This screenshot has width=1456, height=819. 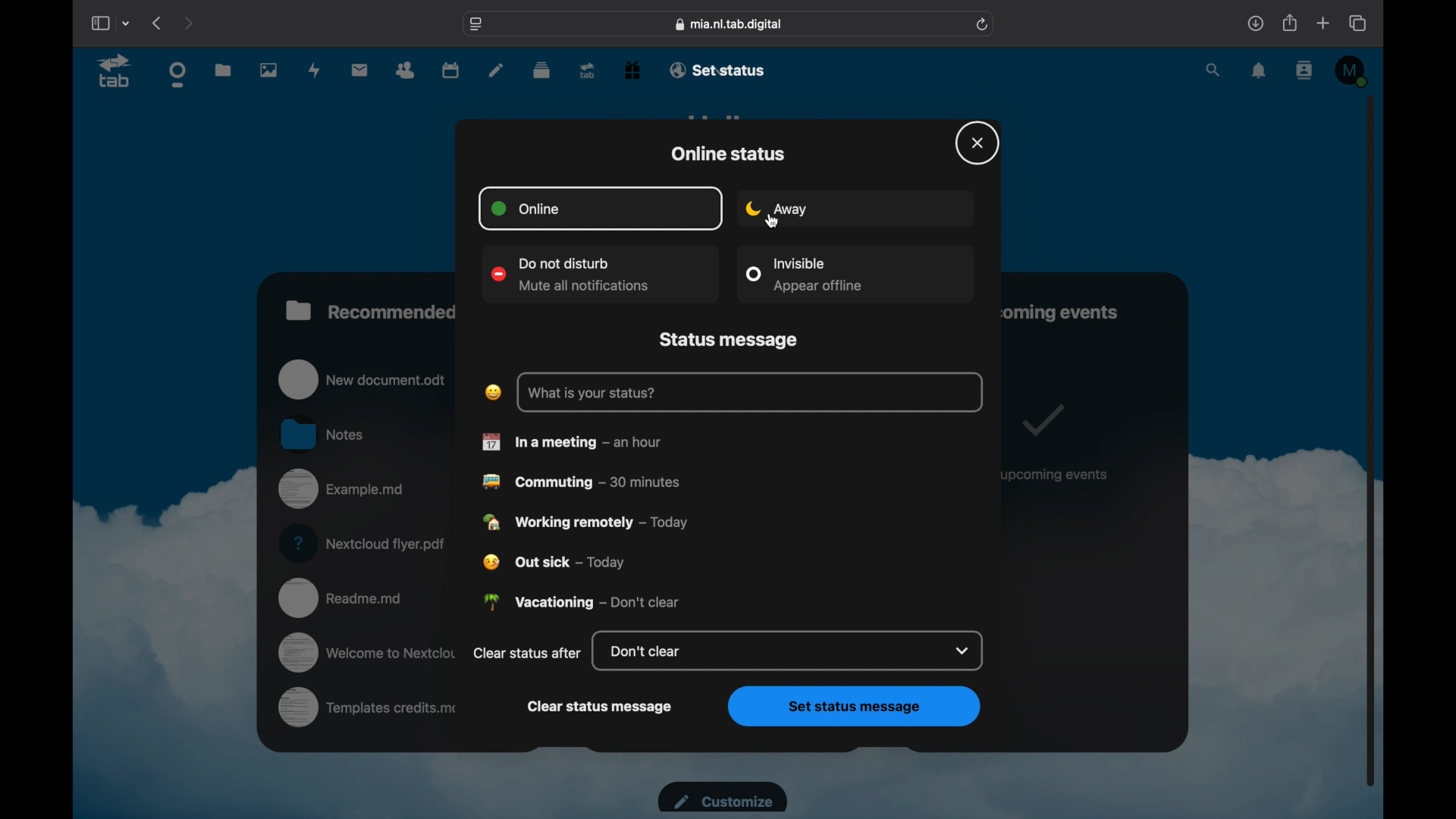 What do you see at coordinates (364, 378) in the screenshot?
I see `new document` at bounding box center [364, 378].